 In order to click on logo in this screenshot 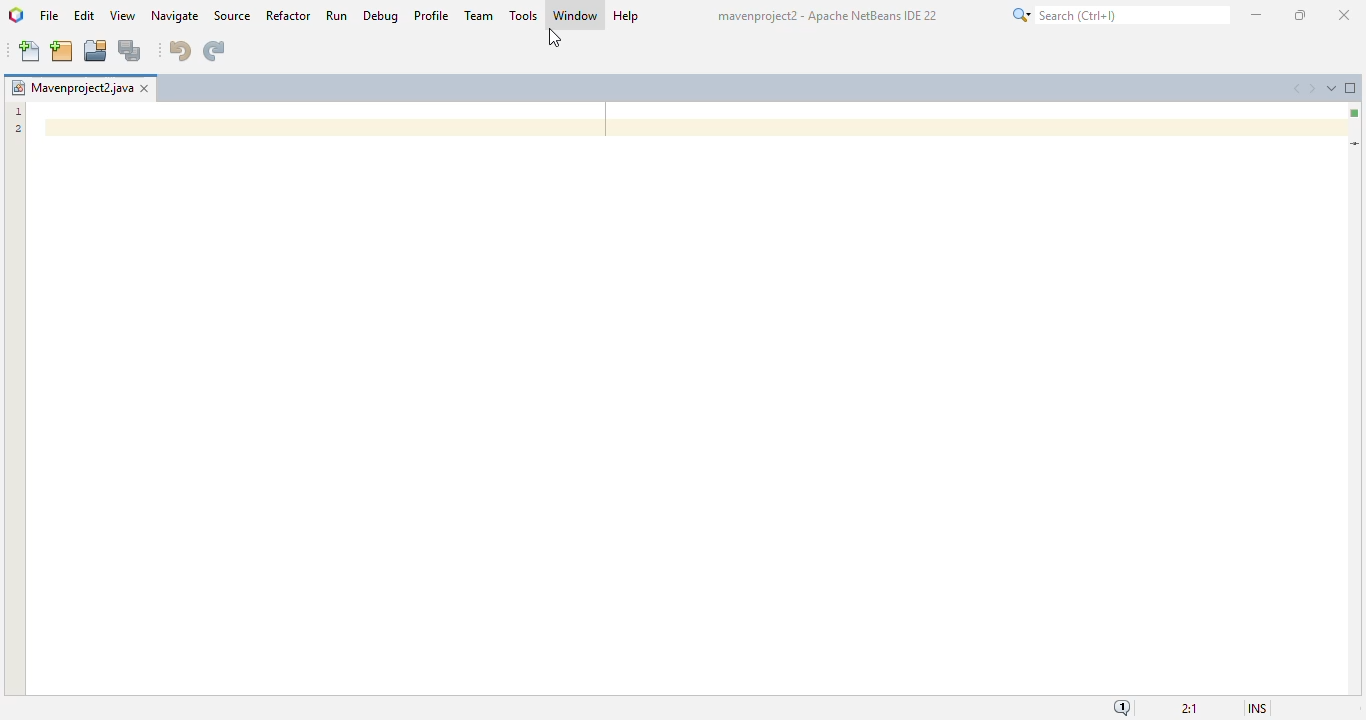, I will do `click(16, 15)`.